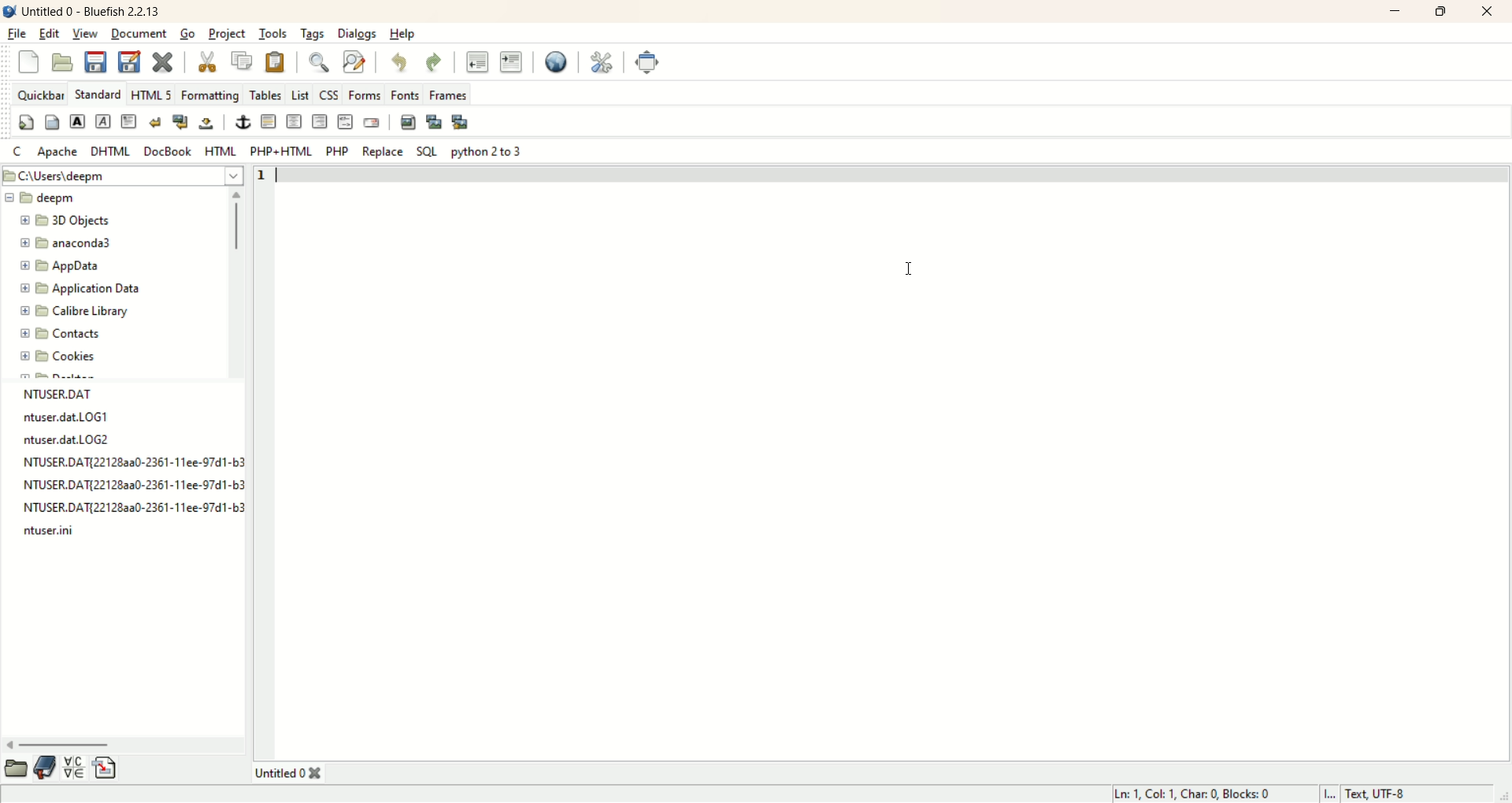 The width and height of the screenshot is (1512, 803). I want to click on file name, so click(69, 440).